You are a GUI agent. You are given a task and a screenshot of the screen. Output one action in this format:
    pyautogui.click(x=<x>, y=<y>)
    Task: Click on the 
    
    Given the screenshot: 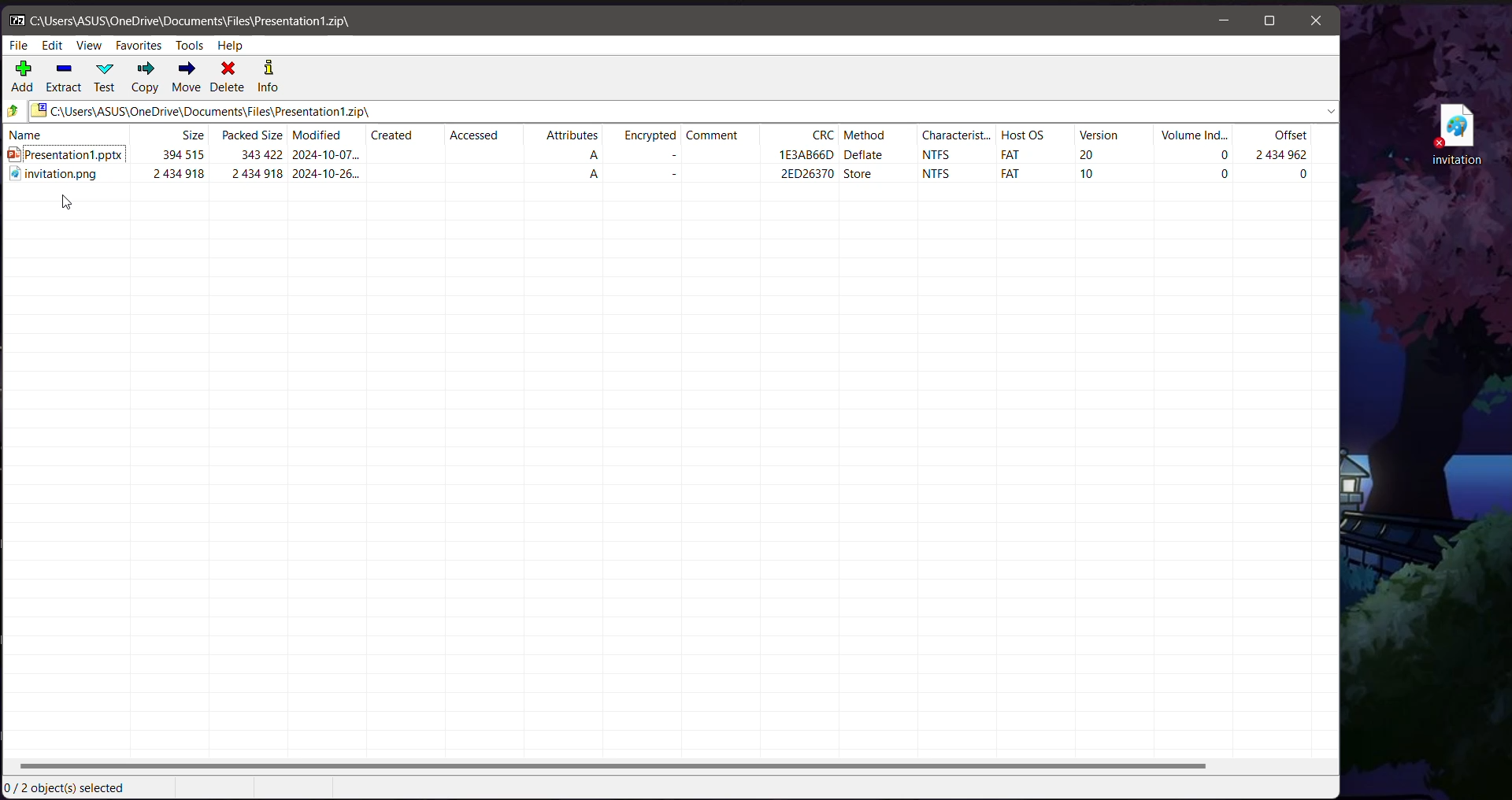 What is the action you would take?
    pyautogui.click(x=15, y=111)
    